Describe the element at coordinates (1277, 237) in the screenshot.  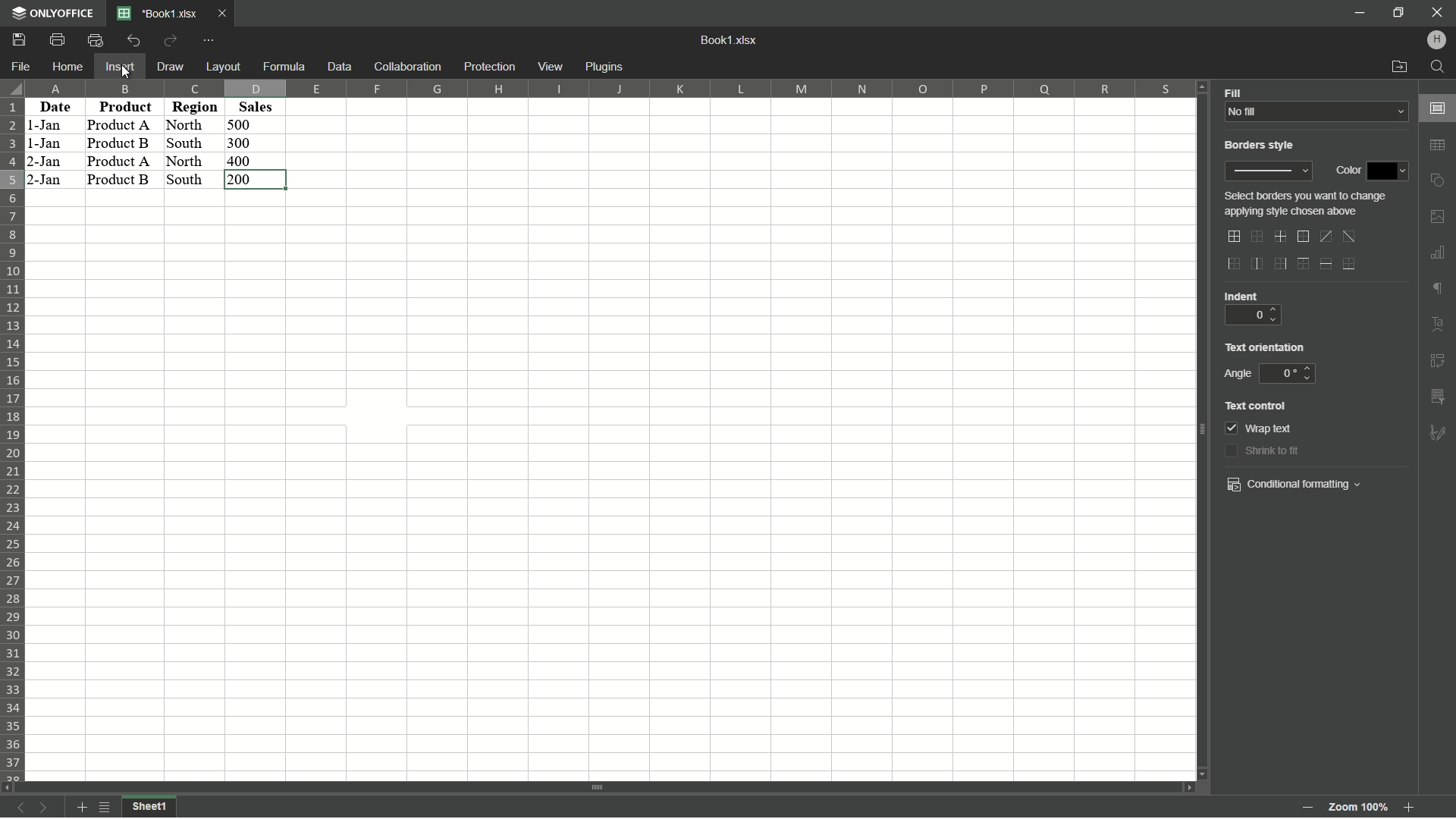
I see `inner lines only` at that location.